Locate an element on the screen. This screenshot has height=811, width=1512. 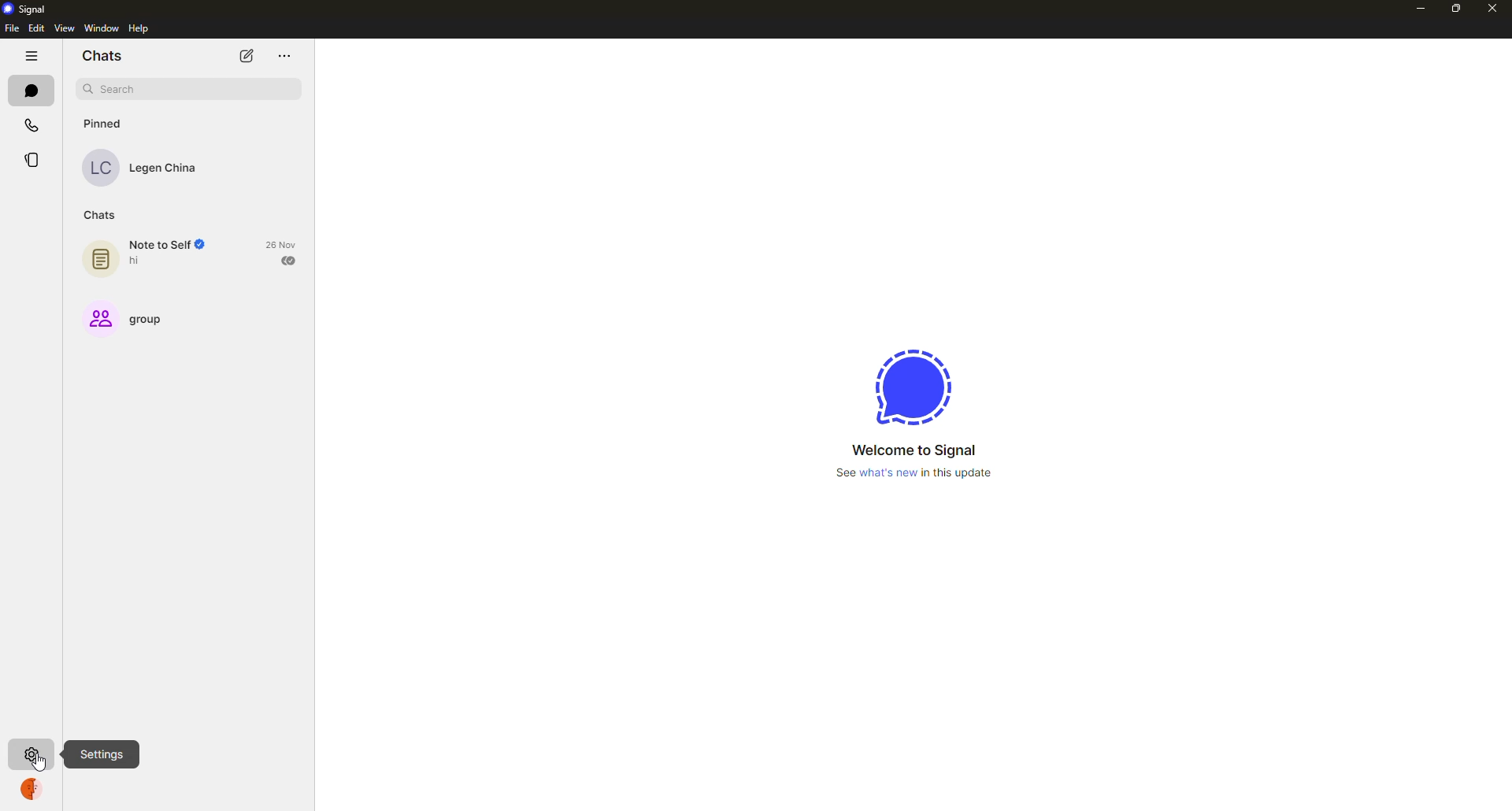
cursor is located at coordinates (43, 756).